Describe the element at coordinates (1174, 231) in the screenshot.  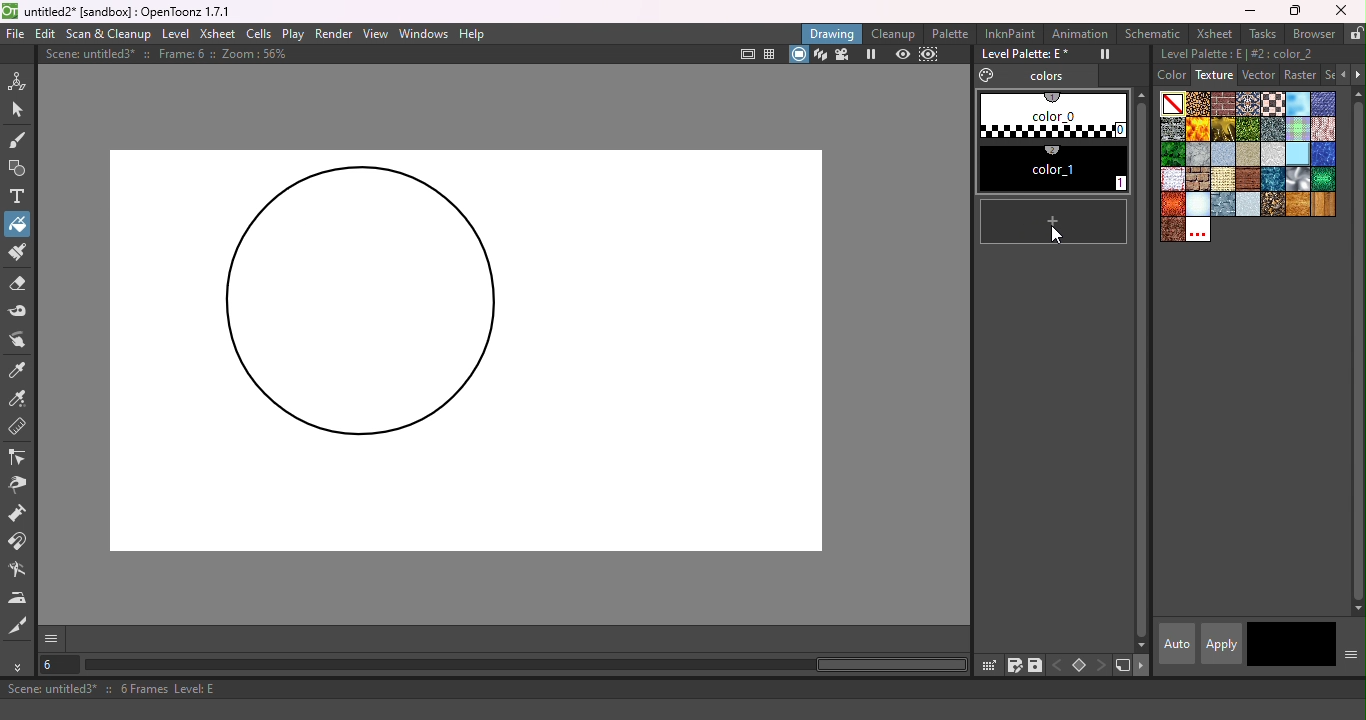
I see `wornleather.bmp` at that location.